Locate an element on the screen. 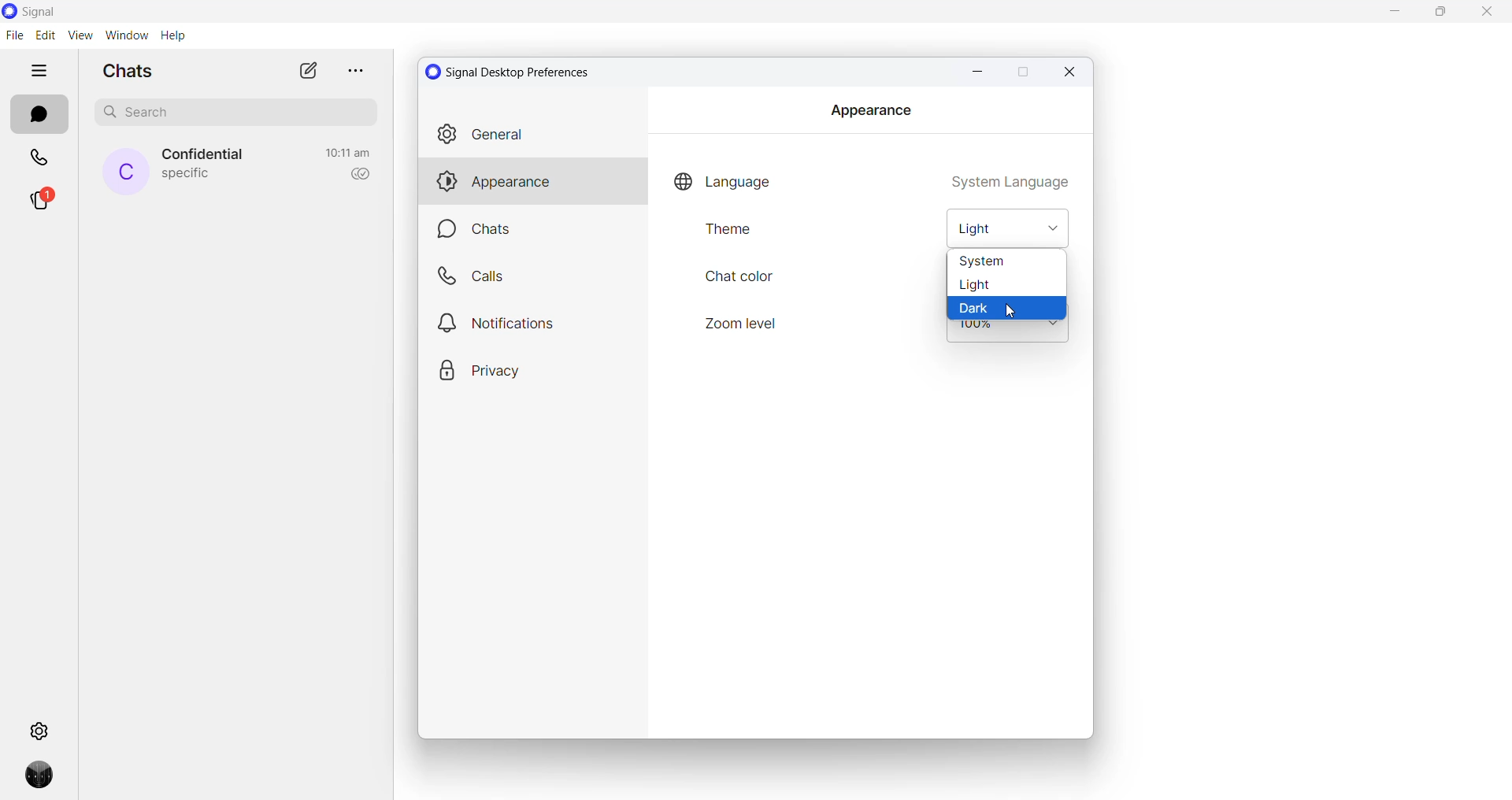 The height and width of the screenshot is (800, 1512). dark is located at coordinates (1008, 306).